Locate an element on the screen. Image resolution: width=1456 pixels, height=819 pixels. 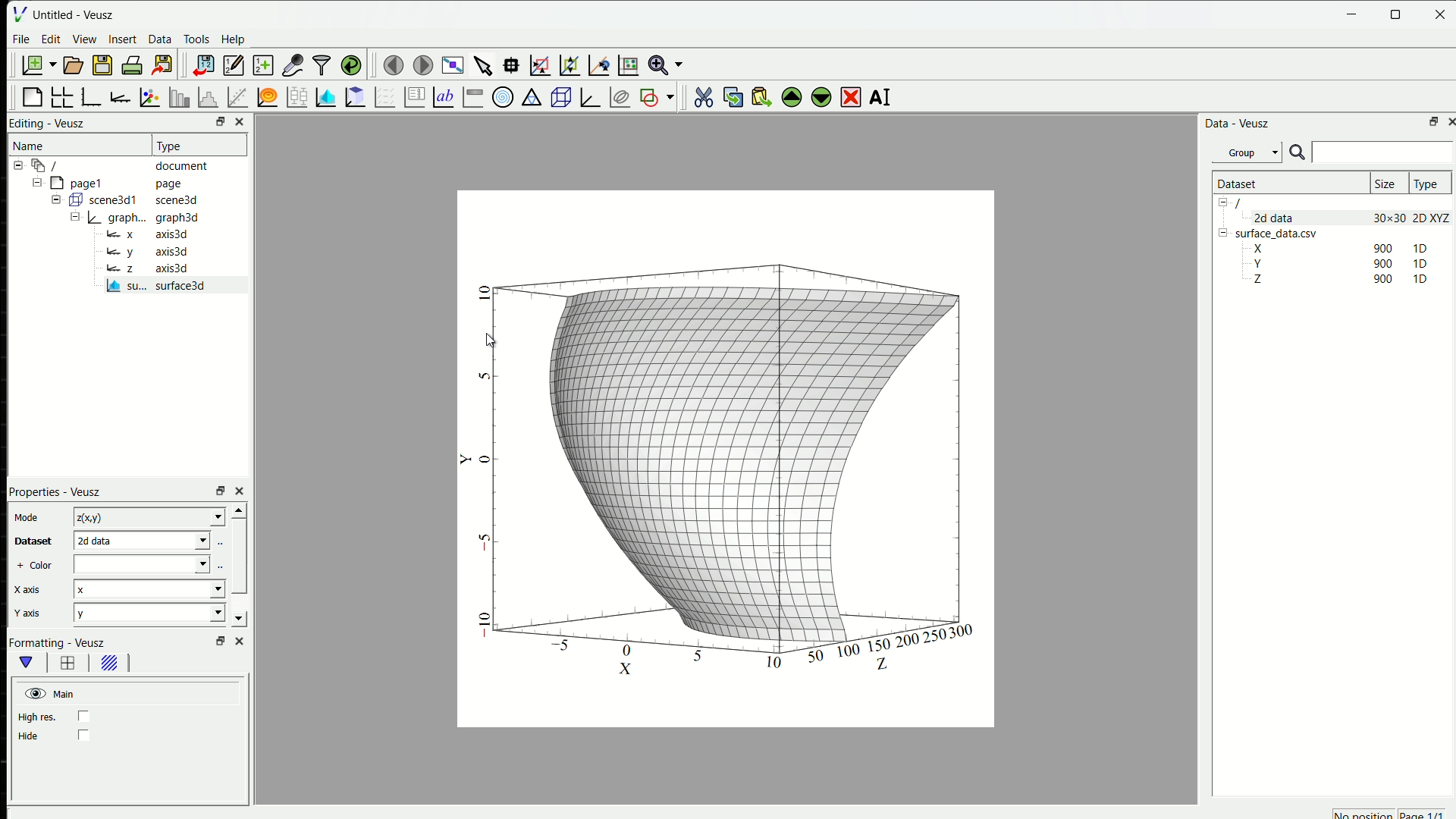
Y 90 1D is located at coordinates (1336, 263).